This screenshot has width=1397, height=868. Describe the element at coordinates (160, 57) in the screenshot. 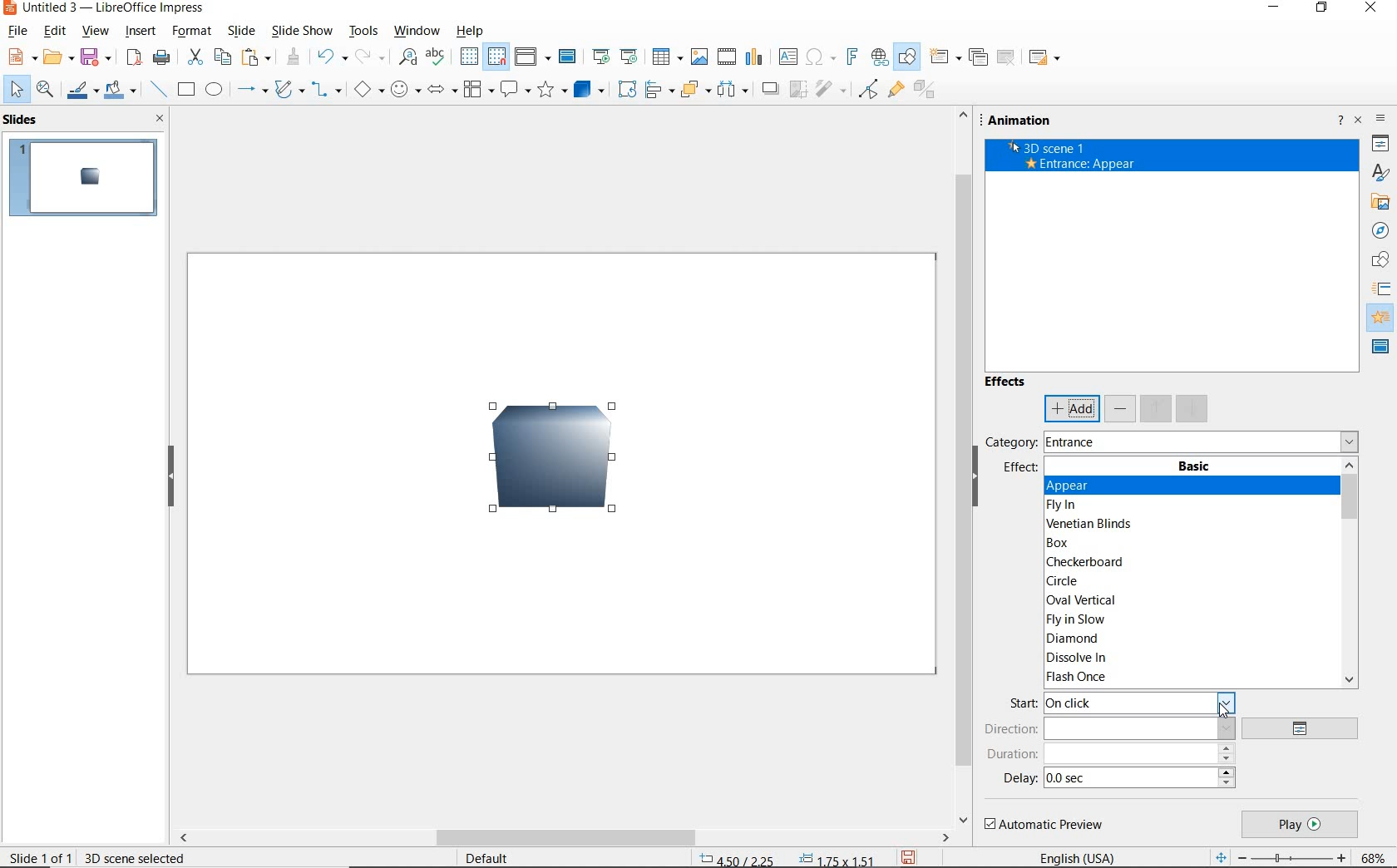

I see `print` at that location.